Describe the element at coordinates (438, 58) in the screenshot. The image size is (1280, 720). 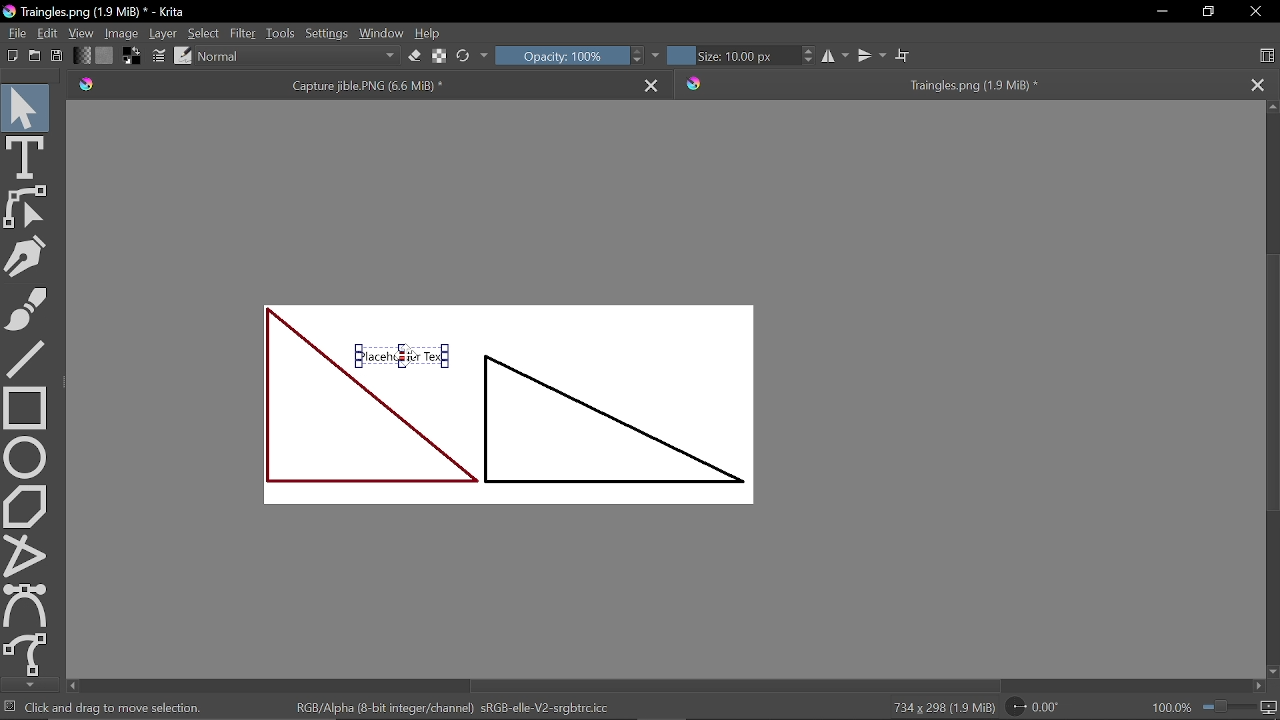
I see `Preserve alpha` at that location.